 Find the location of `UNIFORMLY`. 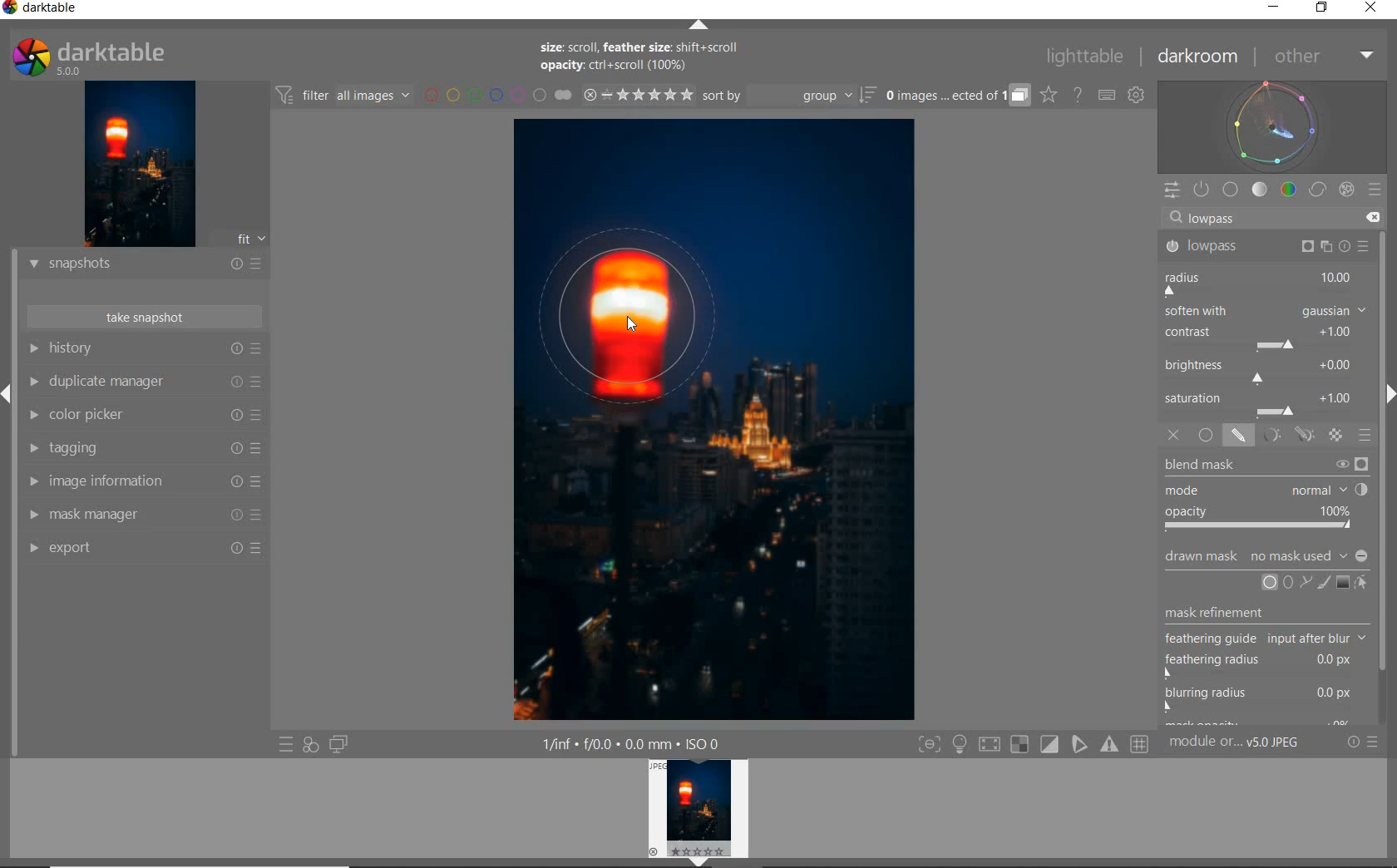

UNIFORMLY is located at coordinates (1207, 436).